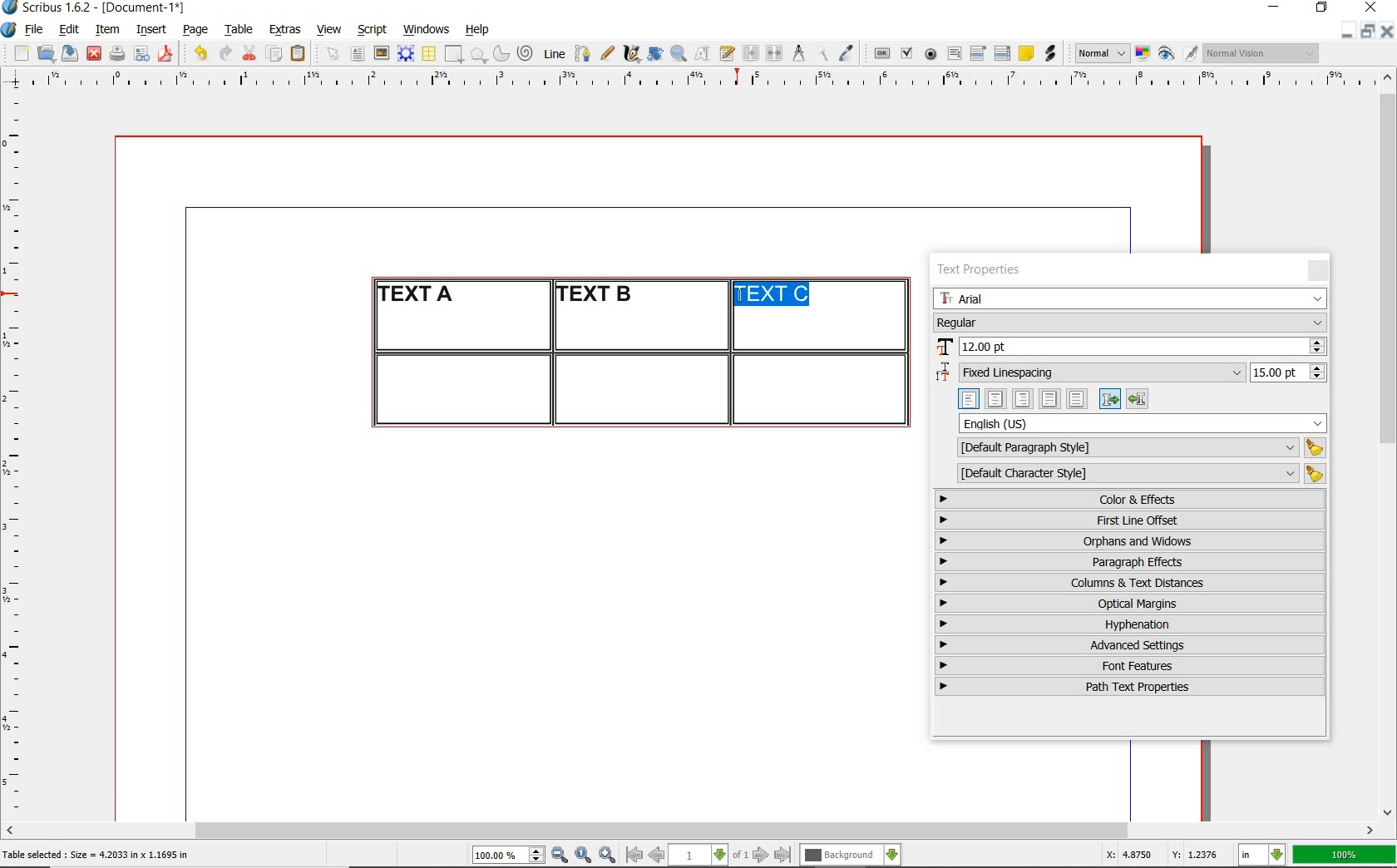 The height and width of the screenshot is (868, 1397). What do you see at coordinates (846, 55) in the screenshot?
I see `eye dropper` at bounding box center [846, 55].